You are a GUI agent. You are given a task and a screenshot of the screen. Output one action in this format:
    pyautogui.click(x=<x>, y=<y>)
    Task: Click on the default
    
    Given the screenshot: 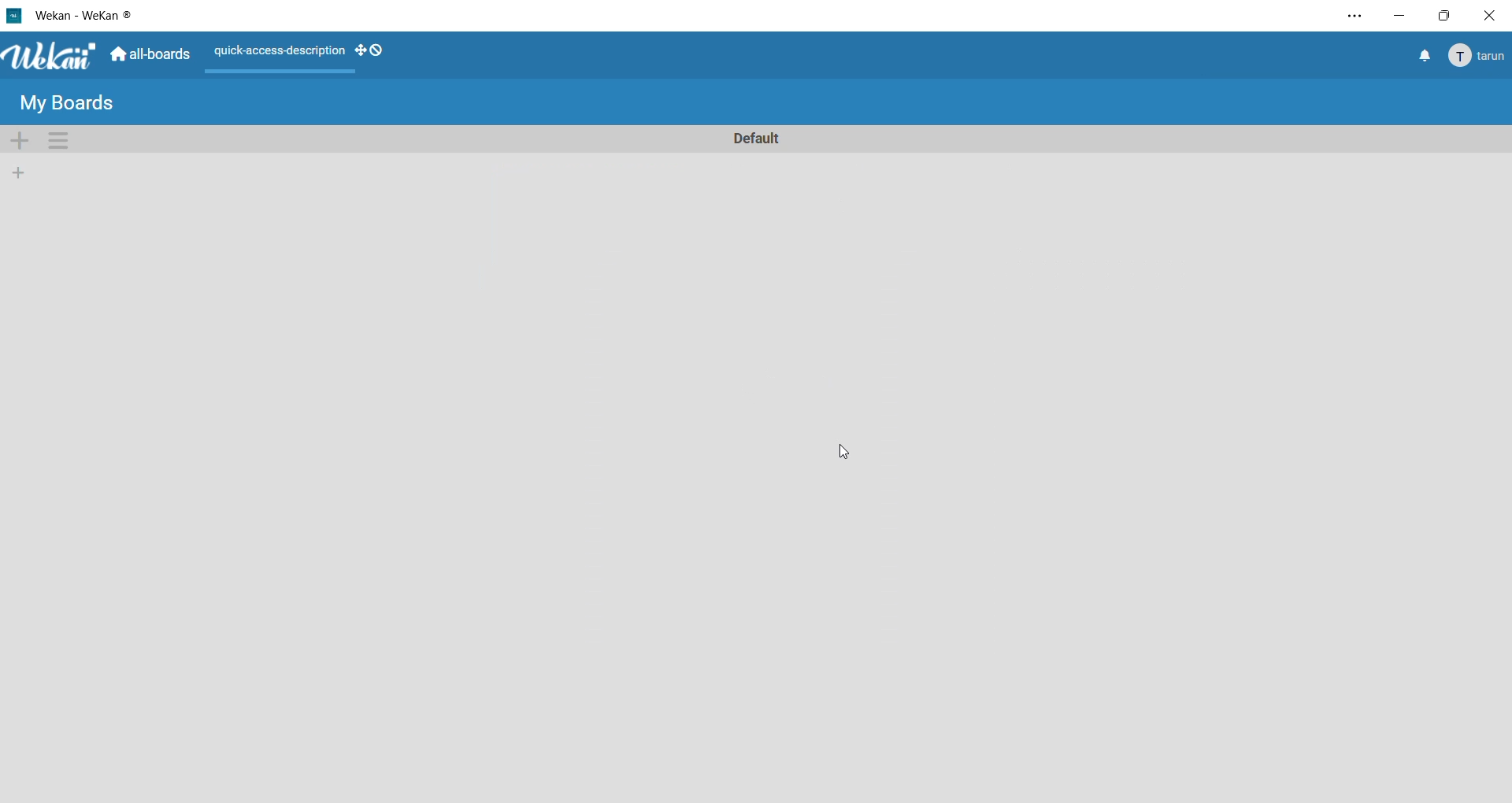 What is the action you would take?
    pyautogui.click(x=755, y=137)
    